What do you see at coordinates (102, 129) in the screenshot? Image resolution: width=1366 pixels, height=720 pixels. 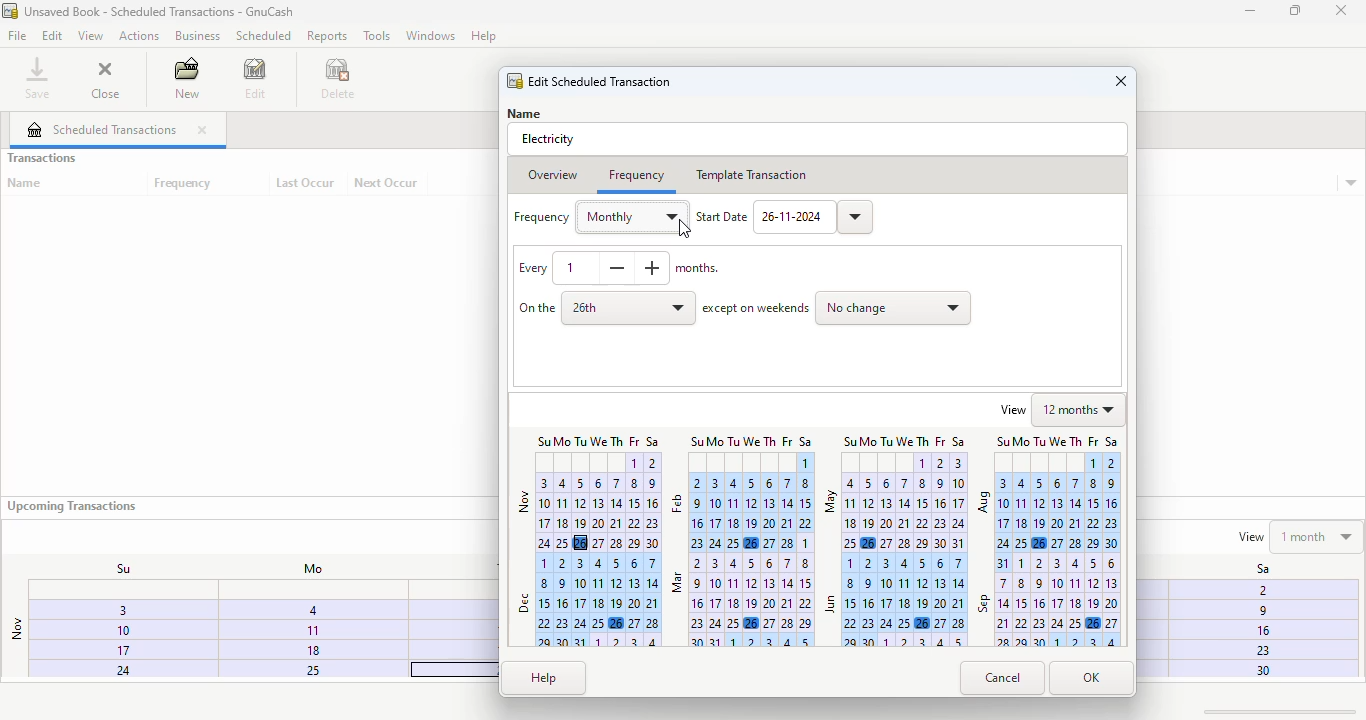 I see `scheduled transactions` at bounding box center [102, 129].